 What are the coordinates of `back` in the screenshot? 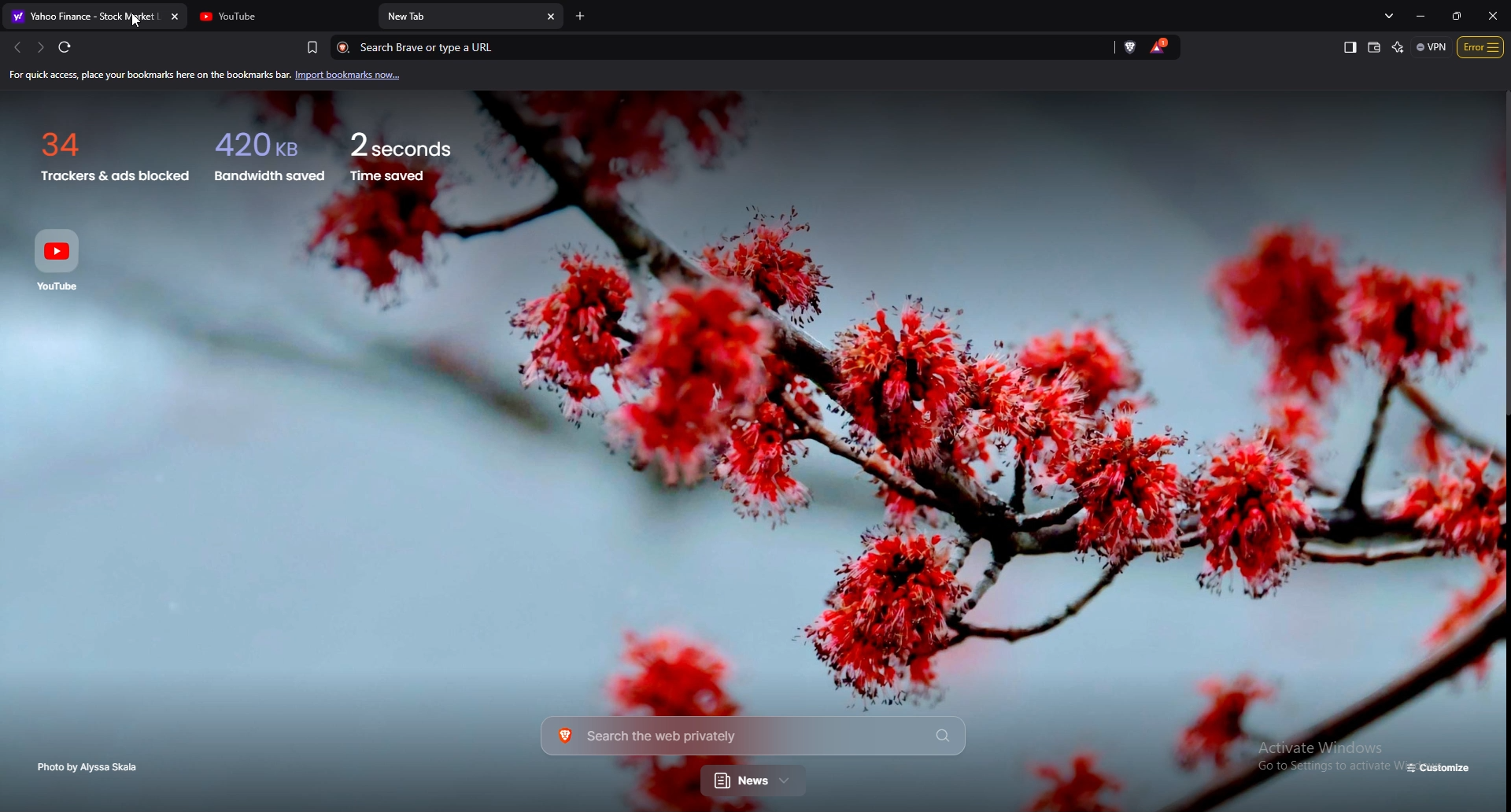 It's located at (15, 47).